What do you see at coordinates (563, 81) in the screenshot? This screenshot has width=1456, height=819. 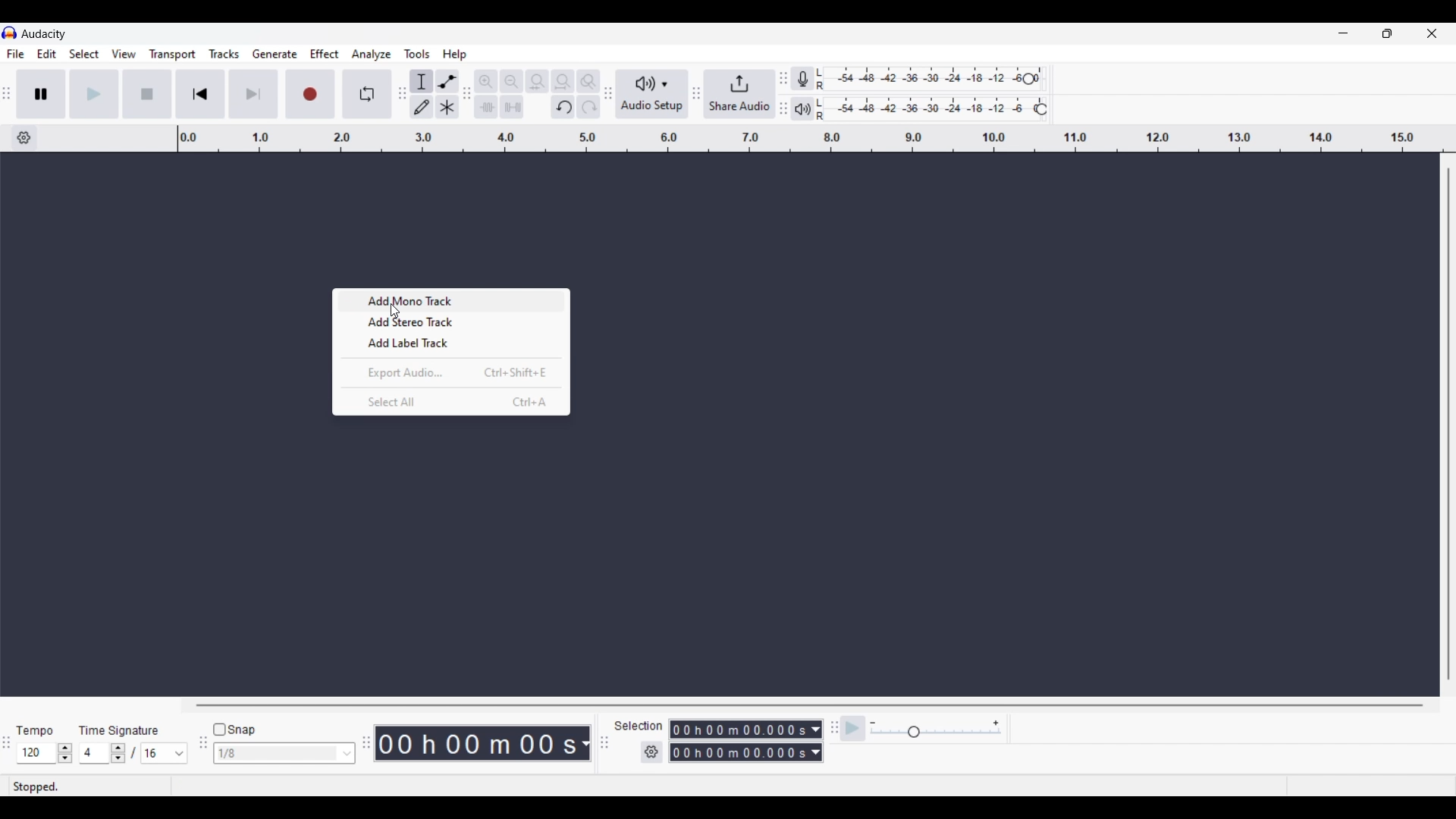 I see `Fit project to width` at bounding box center [563, 81].